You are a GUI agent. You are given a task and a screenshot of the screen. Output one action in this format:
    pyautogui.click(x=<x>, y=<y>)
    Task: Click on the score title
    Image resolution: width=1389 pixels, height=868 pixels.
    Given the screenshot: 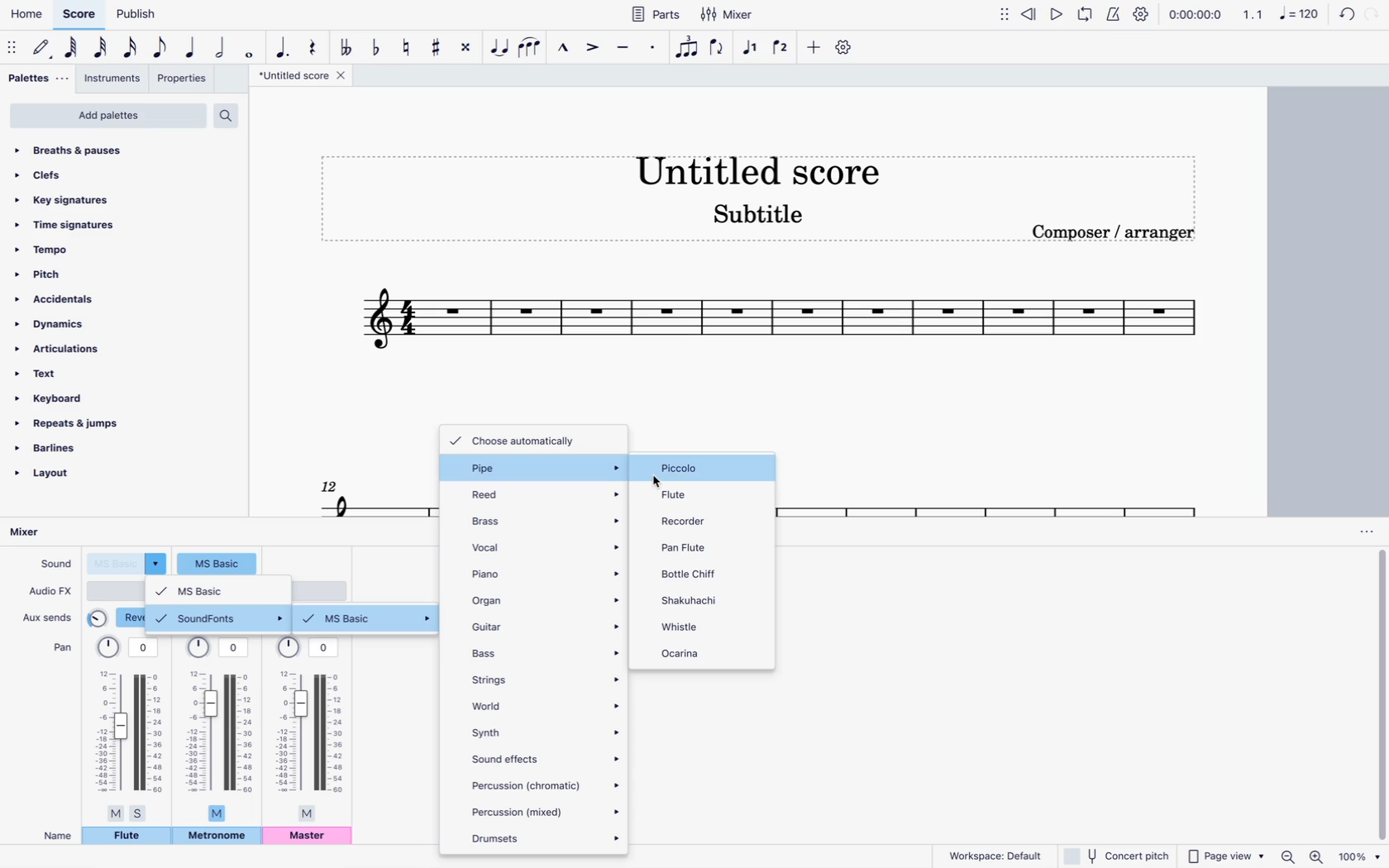 What is the action you would take?
    pyautogui.click(x=305, y=75)
    